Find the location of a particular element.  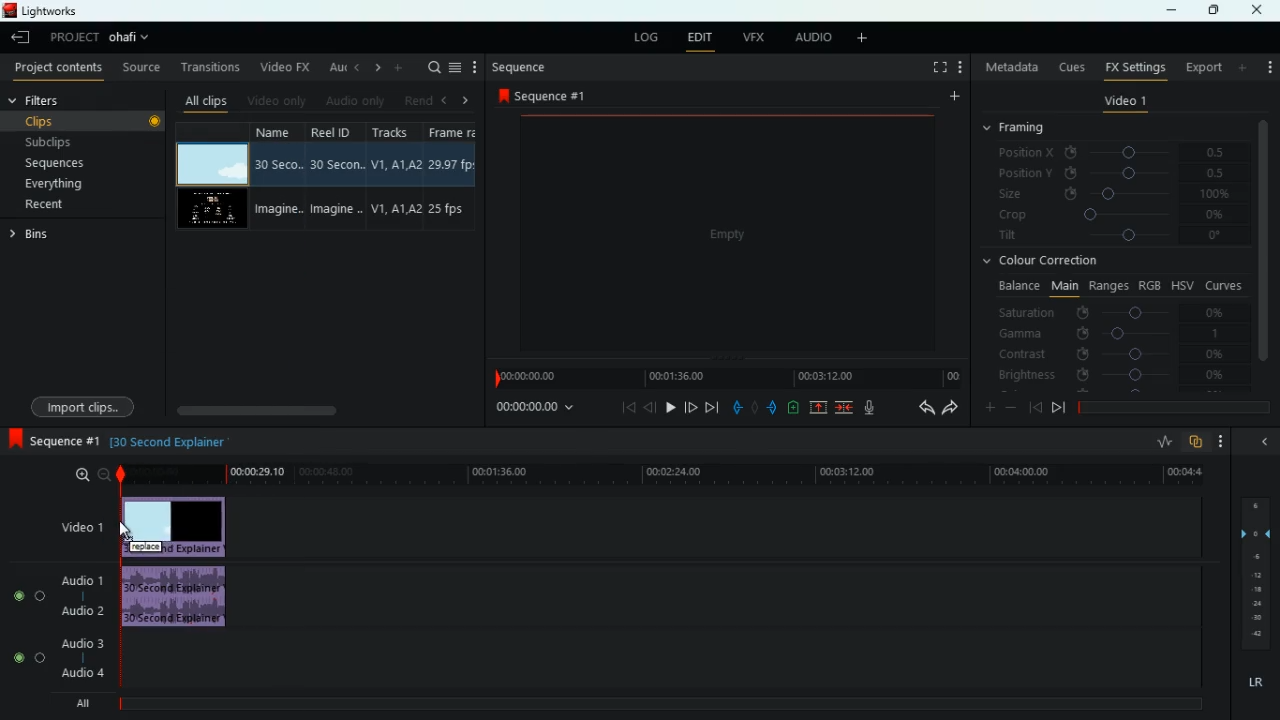

position y is located at coordinates (1115, 173).